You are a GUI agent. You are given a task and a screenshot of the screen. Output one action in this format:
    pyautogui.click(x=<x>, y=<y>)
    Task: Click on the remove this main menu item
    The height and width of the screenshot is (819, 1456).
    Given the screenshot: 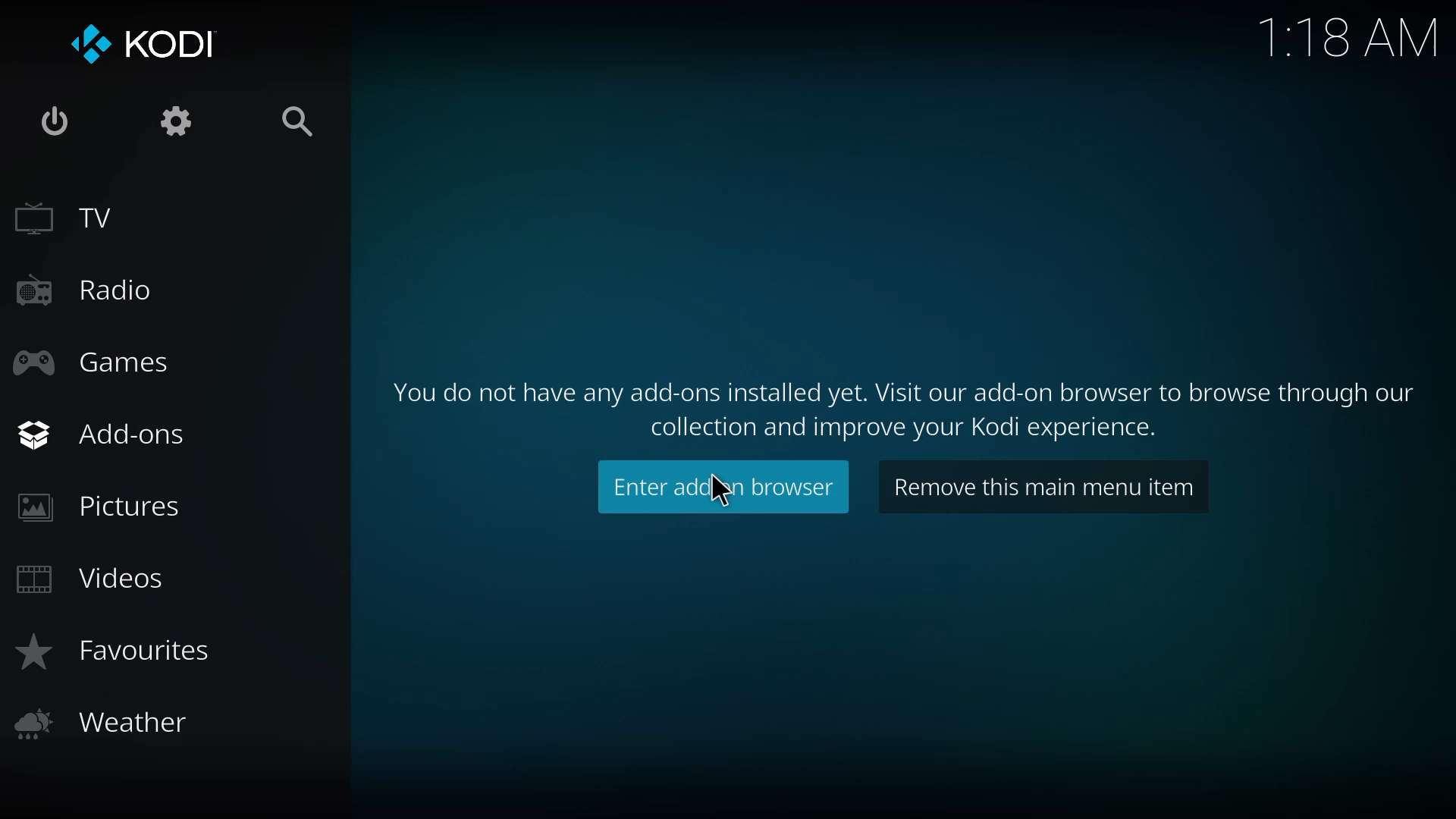 What is the action you would take?
    pyautogui.click(x=1043, y=488)
    